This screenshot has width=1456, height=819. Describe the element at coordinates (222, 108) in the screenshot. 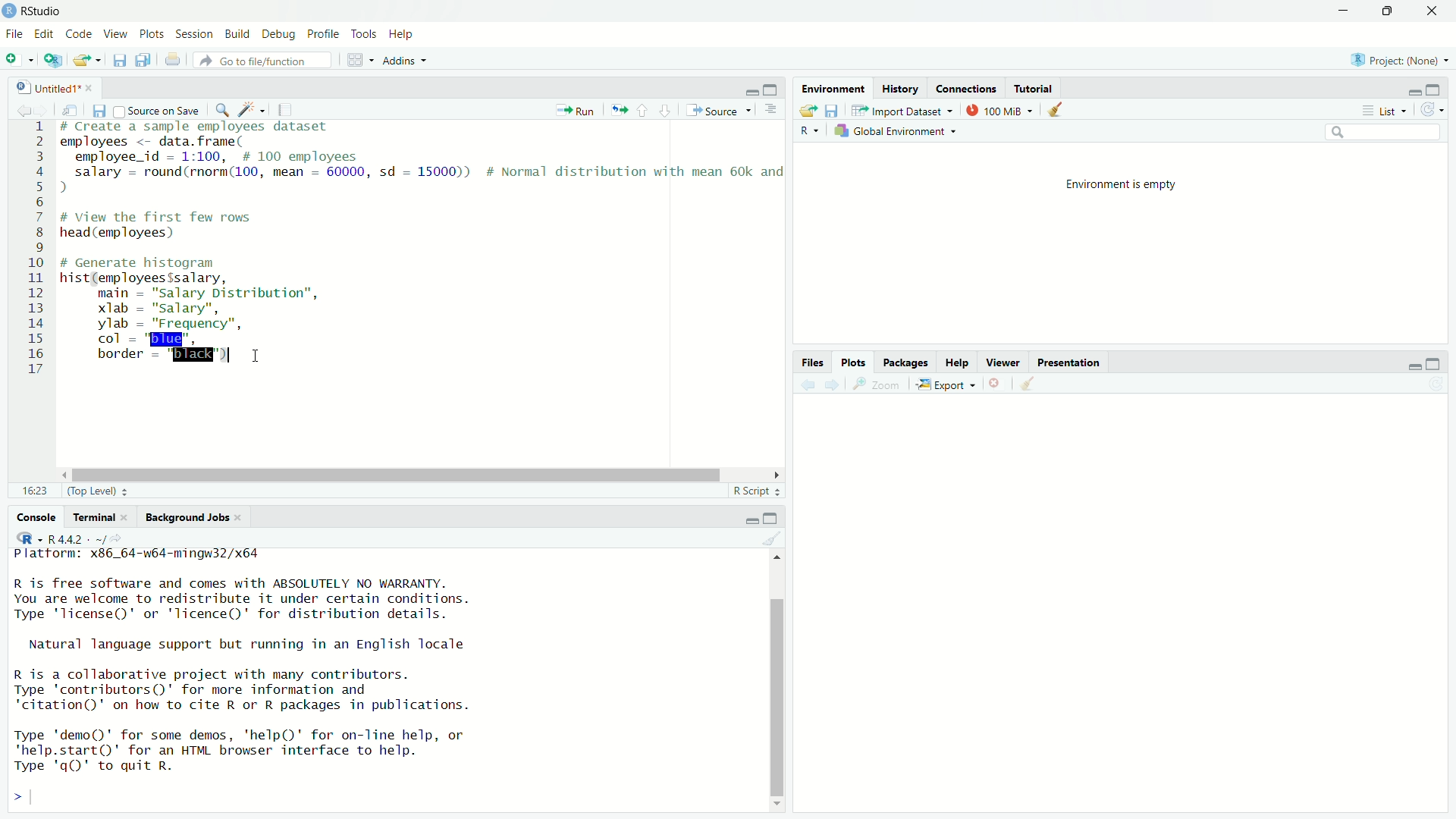

I see `zoom` at that location.